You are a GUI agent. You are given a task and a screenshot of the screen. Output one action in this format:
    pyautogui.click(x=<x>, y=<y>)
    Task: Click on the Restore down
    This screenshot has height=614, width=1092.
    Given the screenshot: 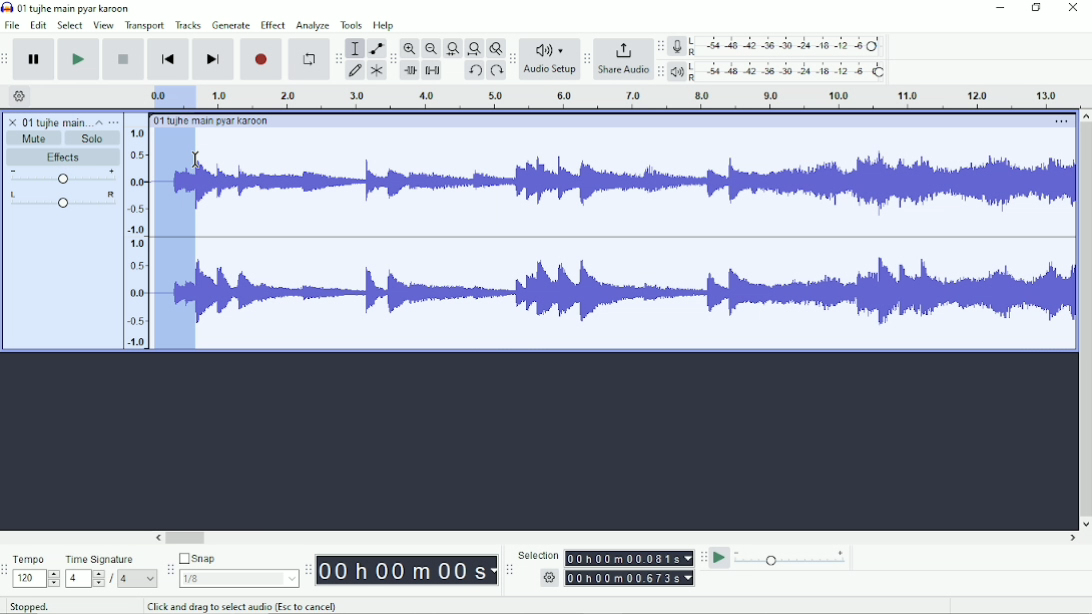 What is the action you would take?
    pyautogui.click(x=1037, y=8)
    